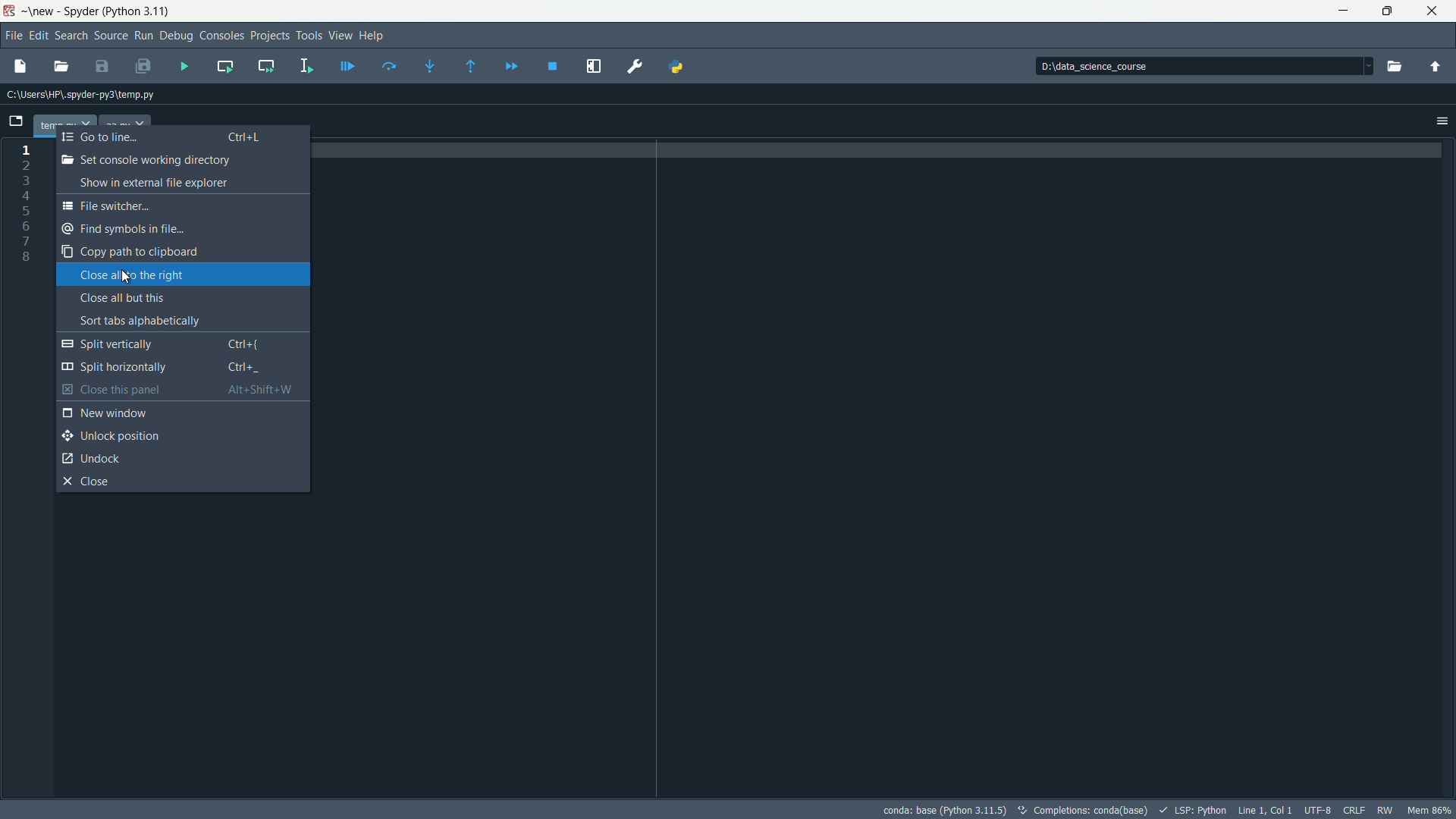 The height and width of the screenshot is (819, 1456). What do you see at coordinates (14, 36) in the screenshot?
I see `file menu` at bounding box center [14, 36].